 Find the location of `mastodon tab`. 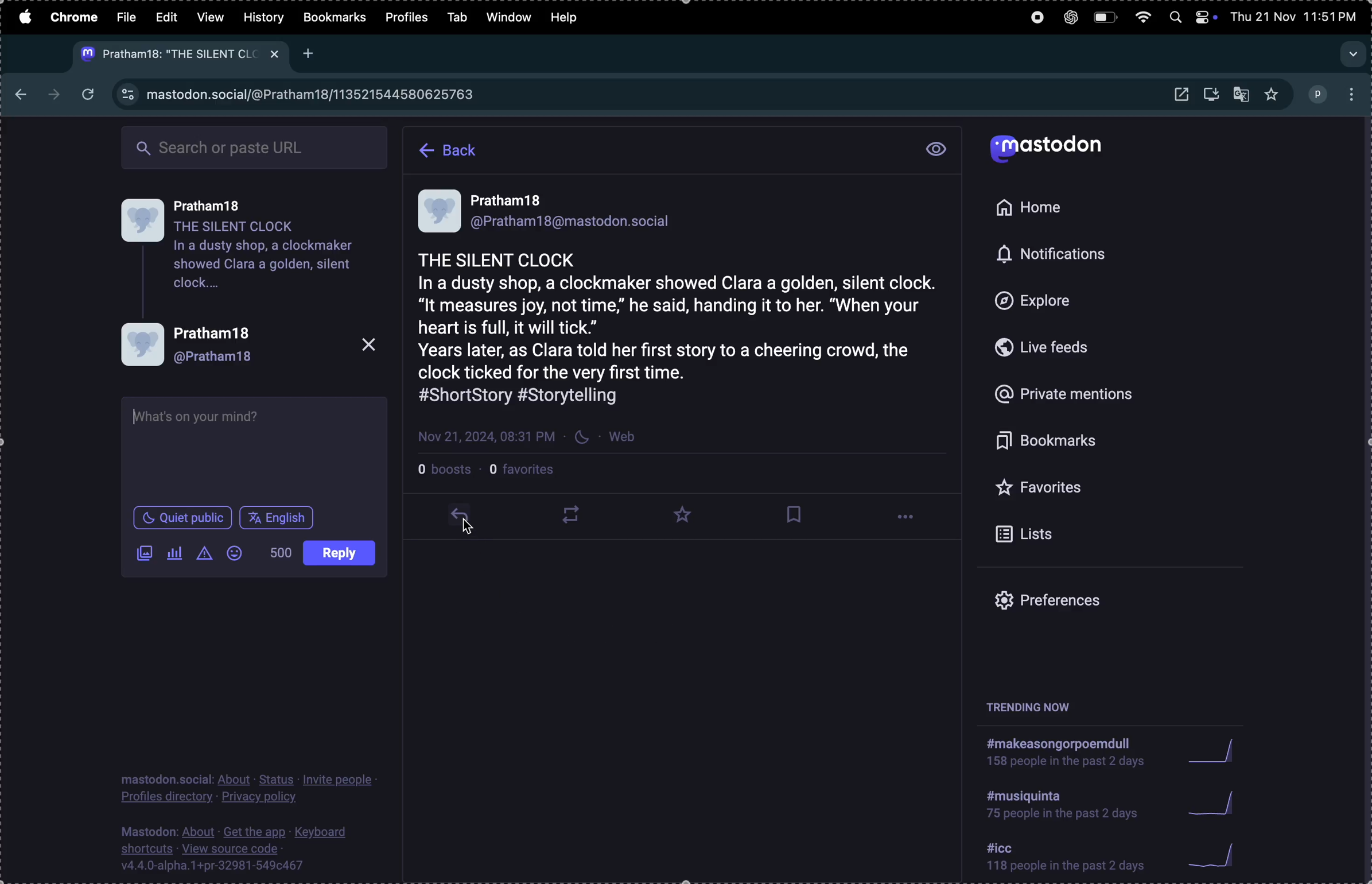

mastodon tab is located at coordinates (175, 55).